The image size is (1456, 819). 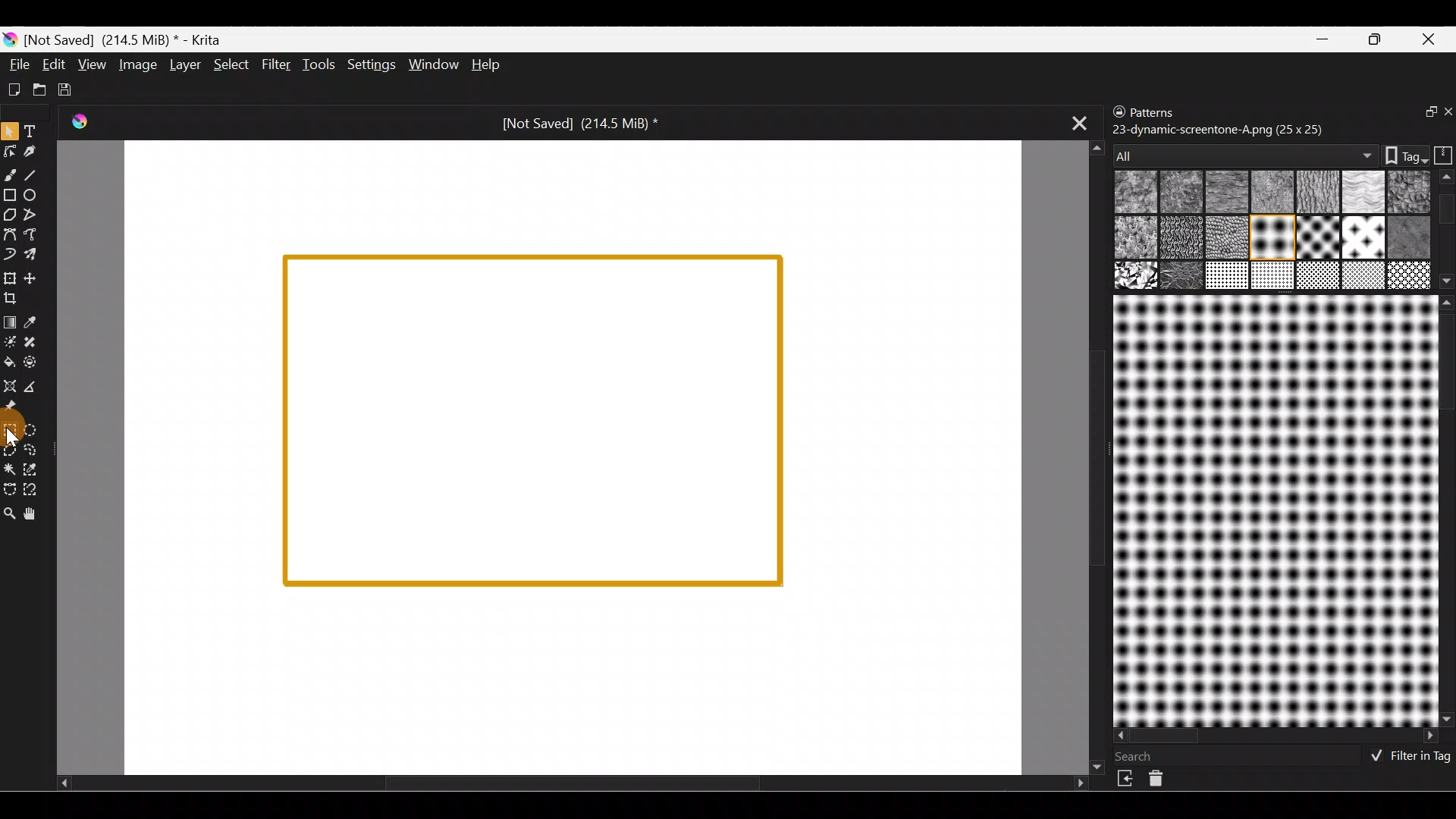 I want to click on Bezier curve selection tool, so click(x=11, y=489).